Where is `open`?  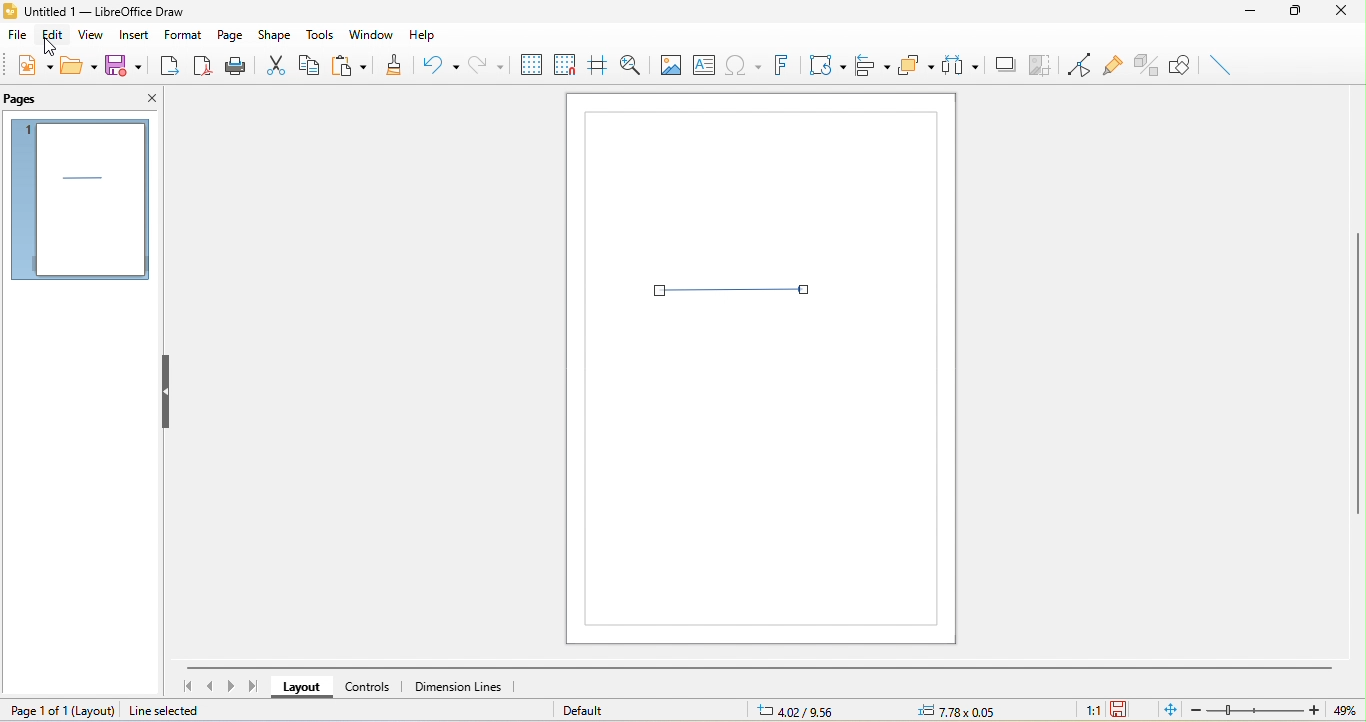 open is located at coordinates (81, 66).